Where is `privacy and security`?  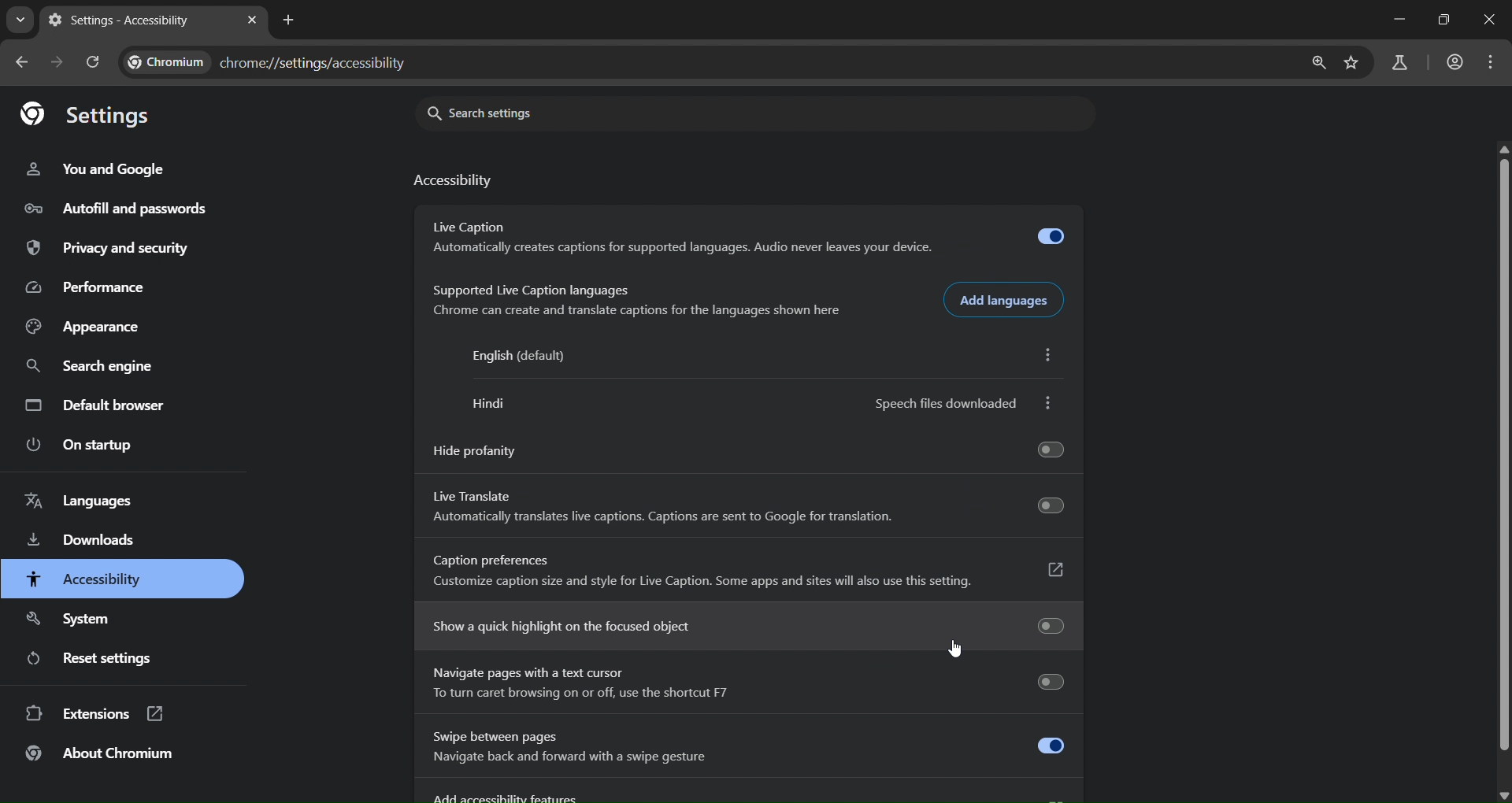
privacy and security is located at coordinates (112, 249).